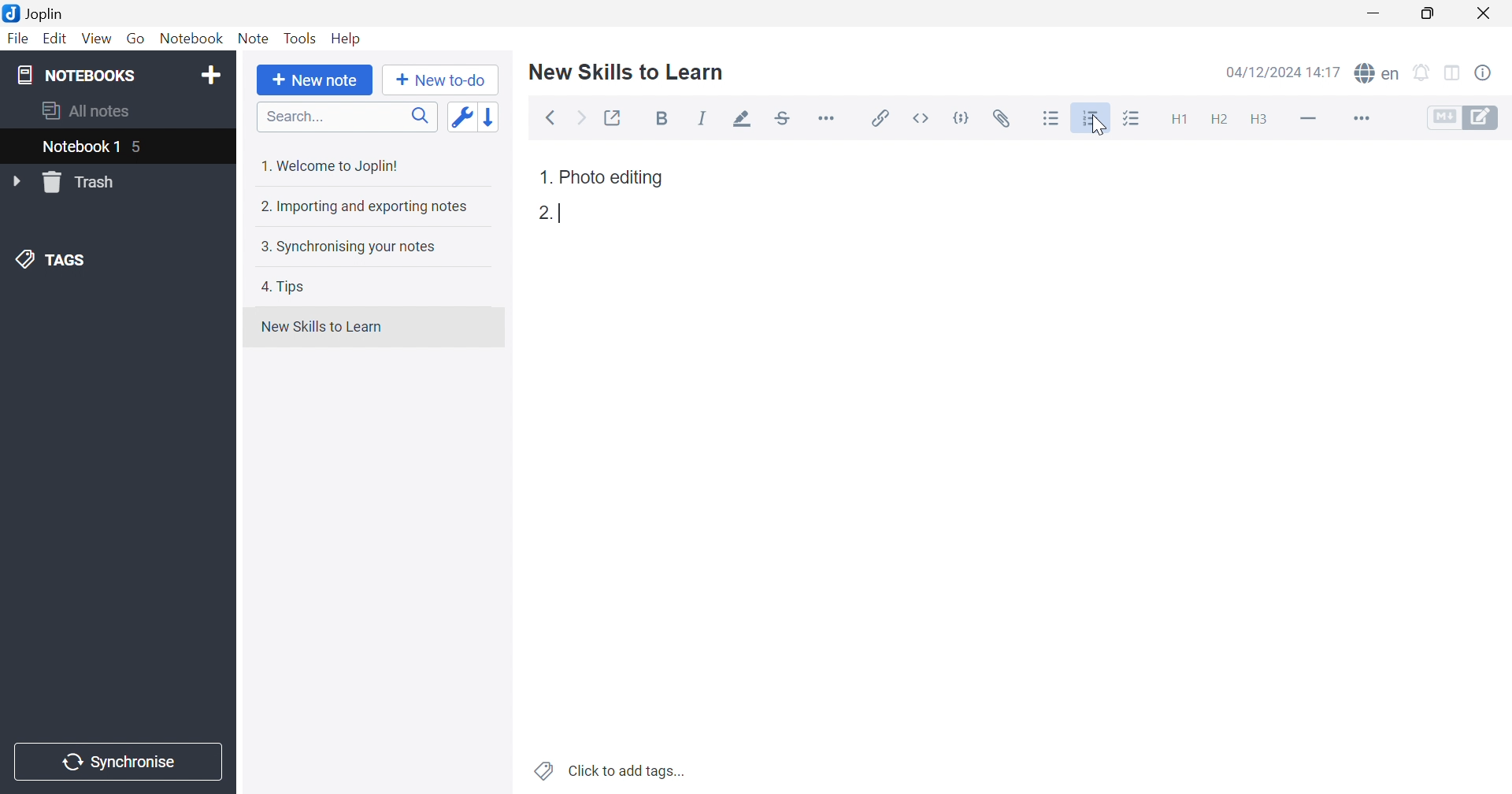 This screenshot has width=1512, height=794. What do you see at coordinates (1310, 117) in the screenshot?
I see `Horizontal line` at bounding box center [1310, 117].